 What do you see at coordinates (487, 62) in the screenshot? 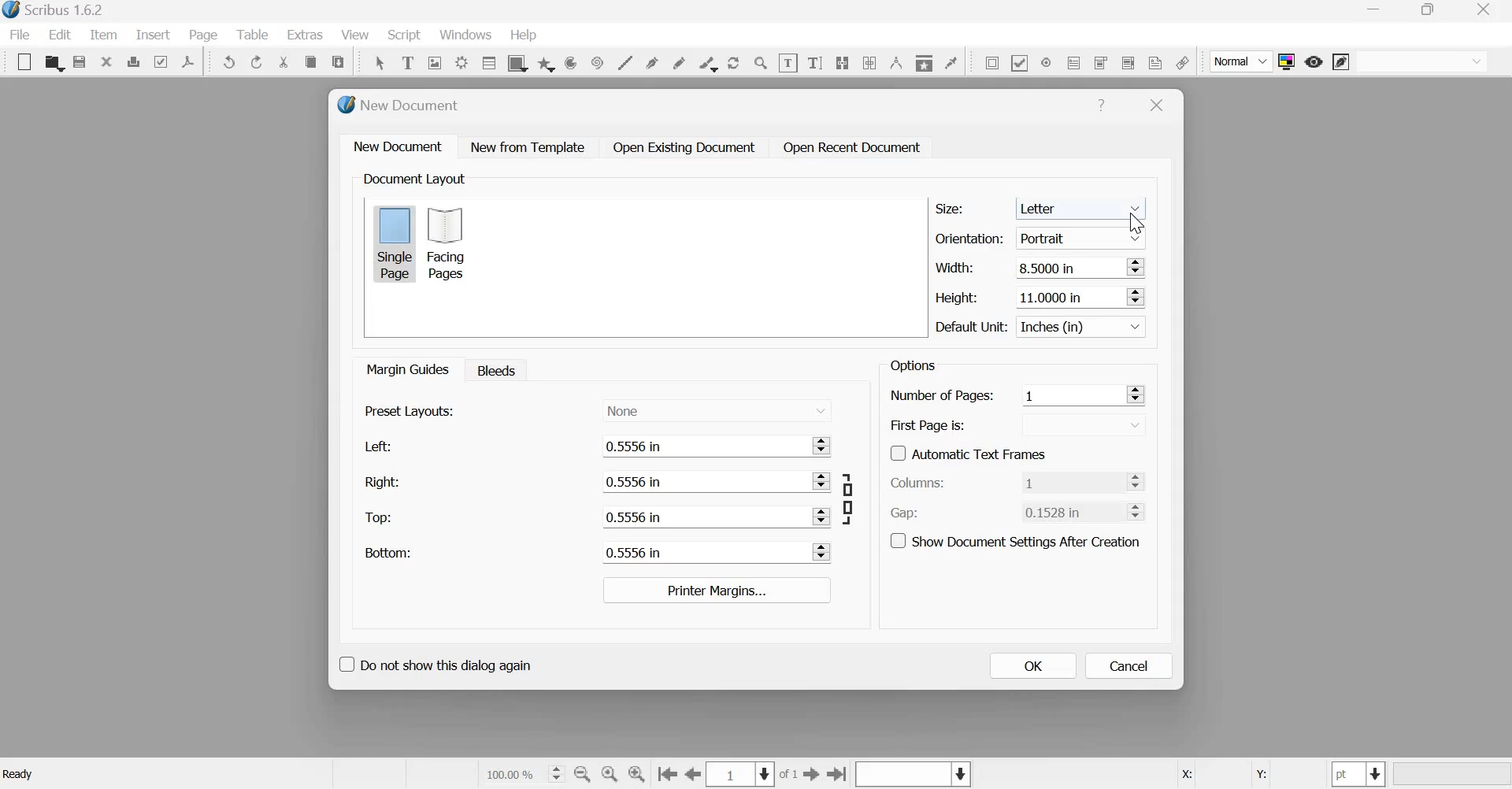
I see `table` at bounding box center [487, 62].